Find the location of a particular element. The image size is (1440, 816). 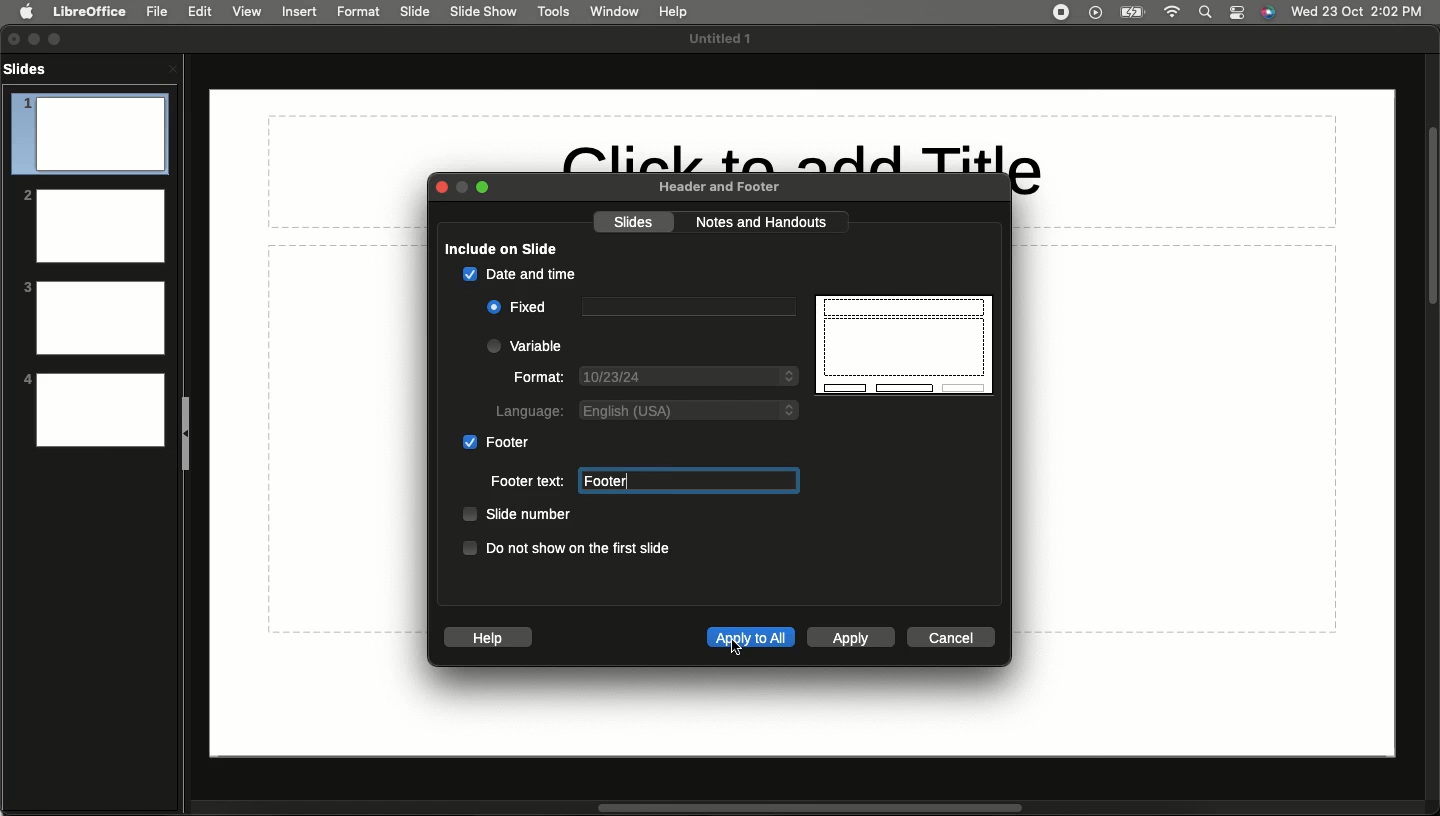

Video player is located at coordinates (1094, 14).